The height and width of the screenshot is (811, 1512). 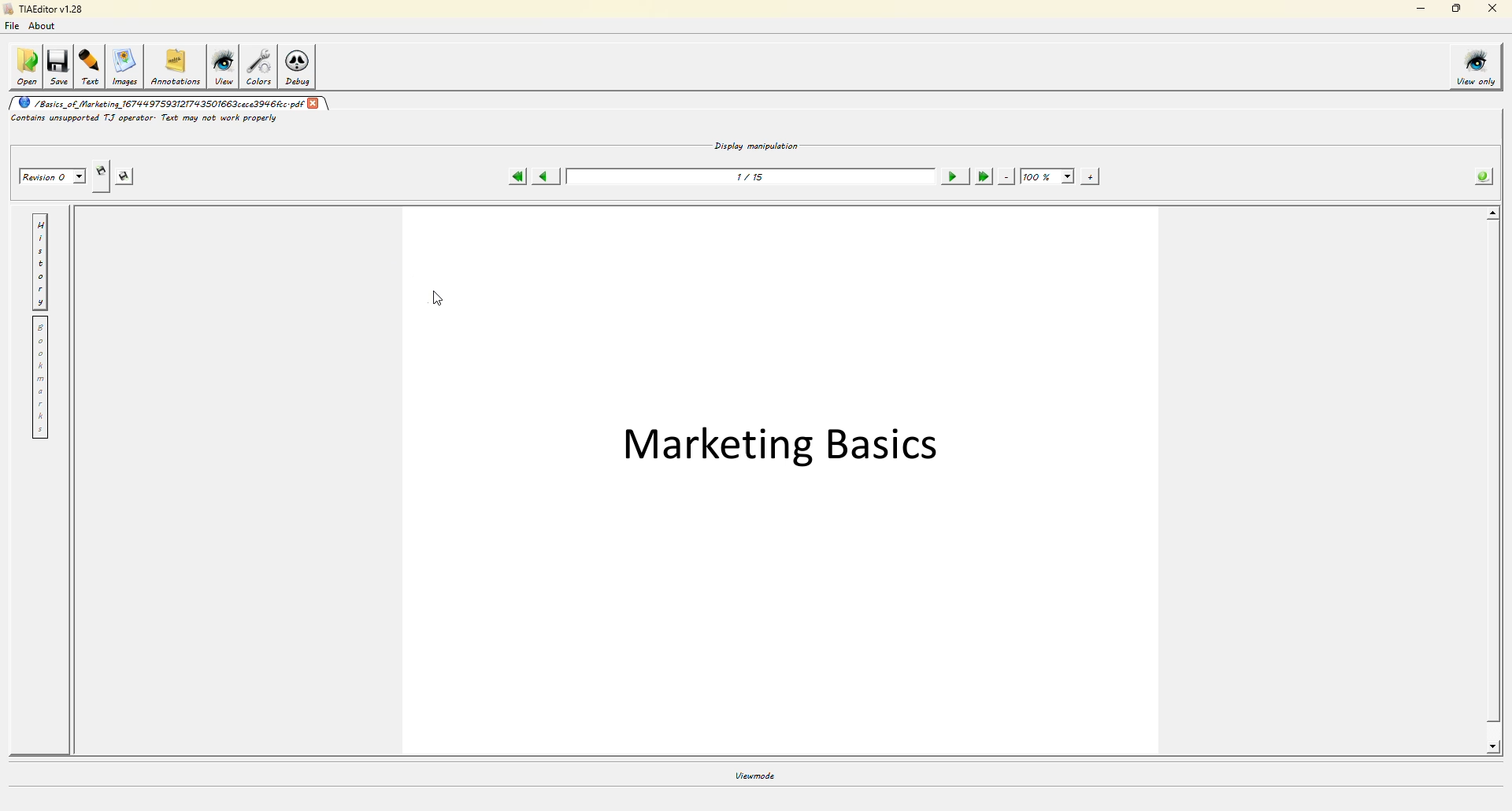 I want to click on view, so click(x=224, y=67).